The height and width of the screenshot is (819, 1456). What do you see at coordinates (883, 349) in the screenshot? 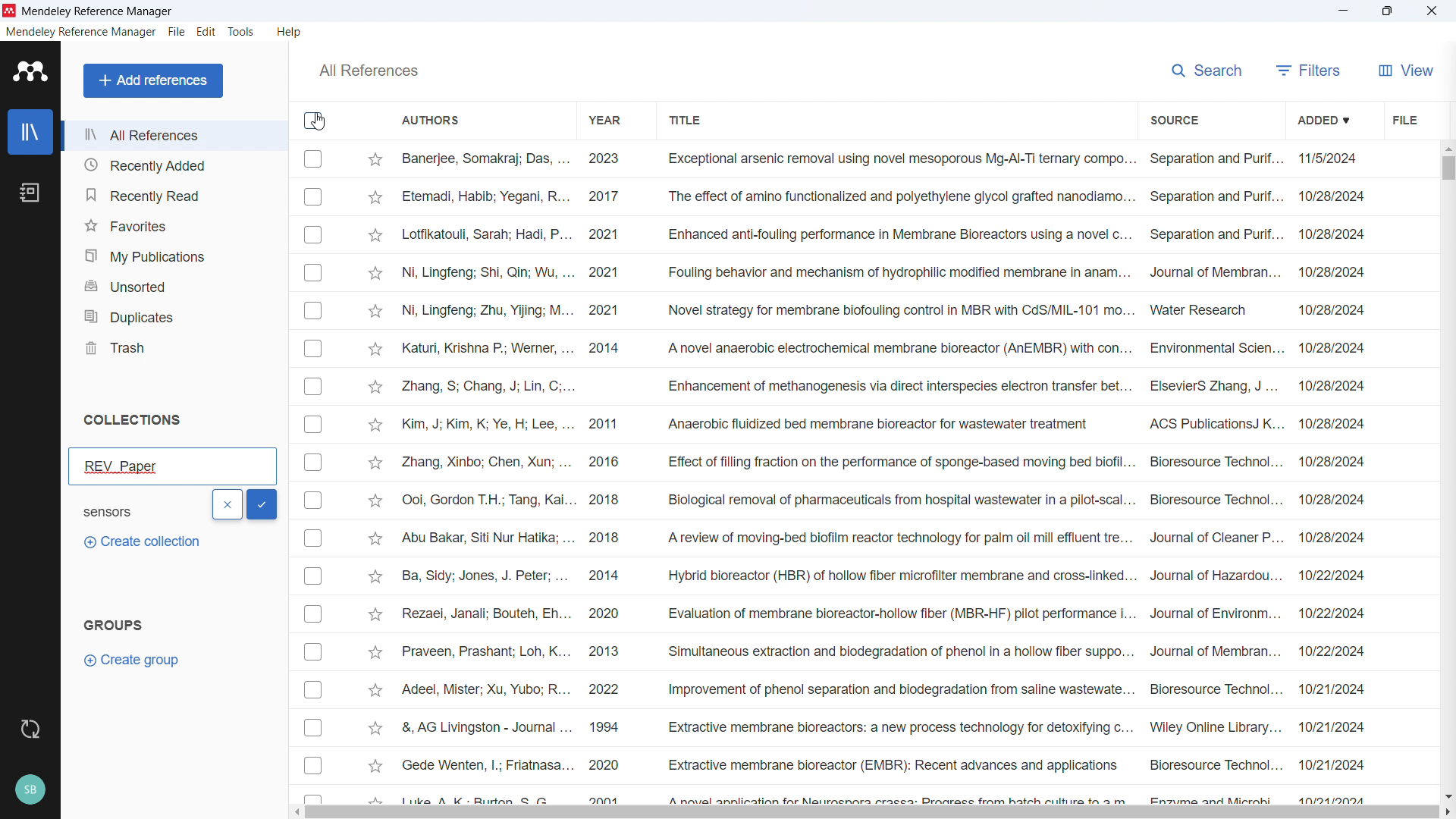
I see `Katuri, Krishna P.; Werner, ... 2014 A novel anaerobic electrochemical membrane bioreactor (AnEMBR) with con... Environmental Scien... 10/28/2024` at bounding box center [883, 349].